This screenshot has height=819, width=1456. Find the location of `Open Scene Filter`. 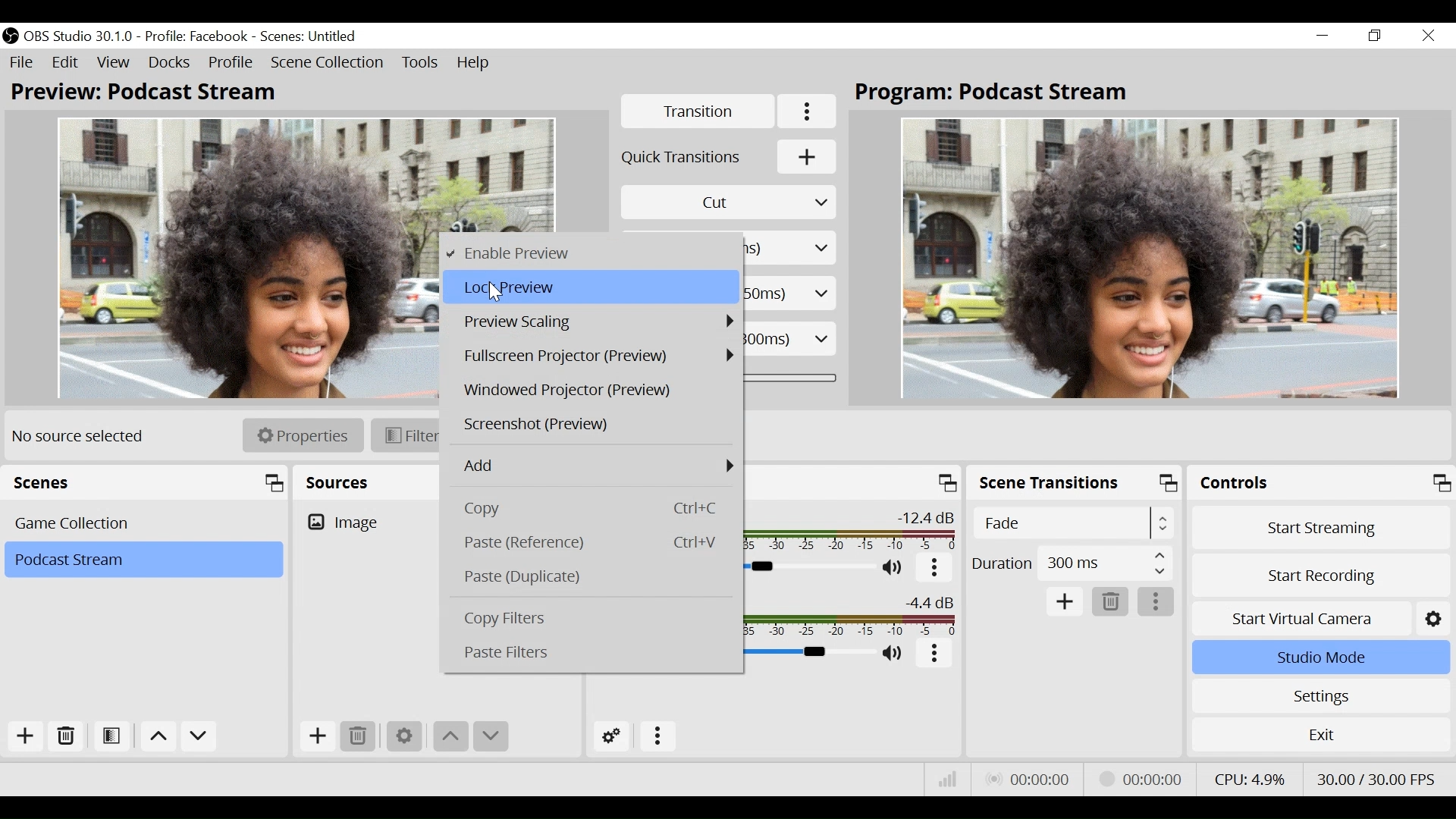

Open Scene Filter is located at coordinates (111, 736).